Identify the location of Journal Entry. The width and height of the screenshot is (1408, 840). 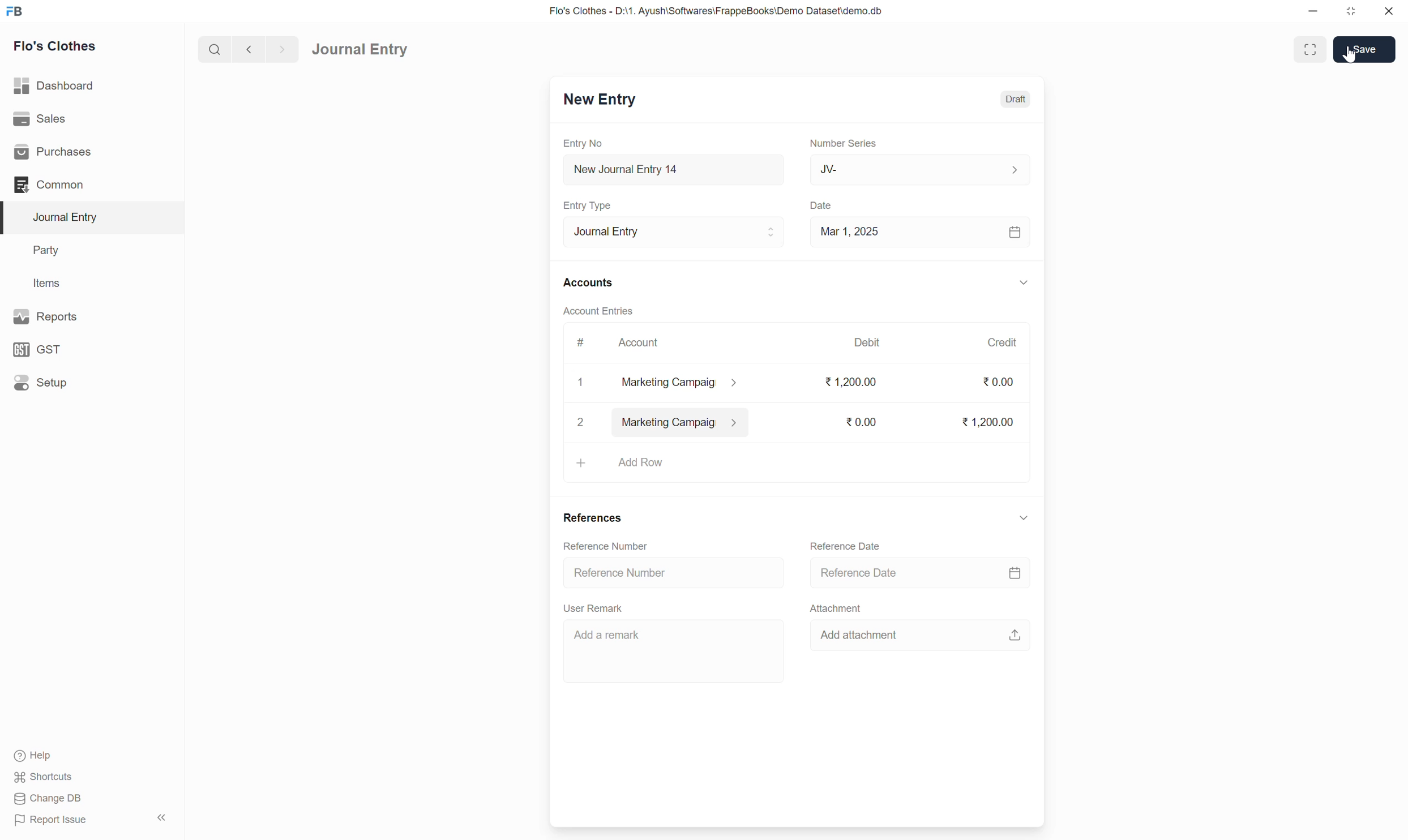
(674, 231).